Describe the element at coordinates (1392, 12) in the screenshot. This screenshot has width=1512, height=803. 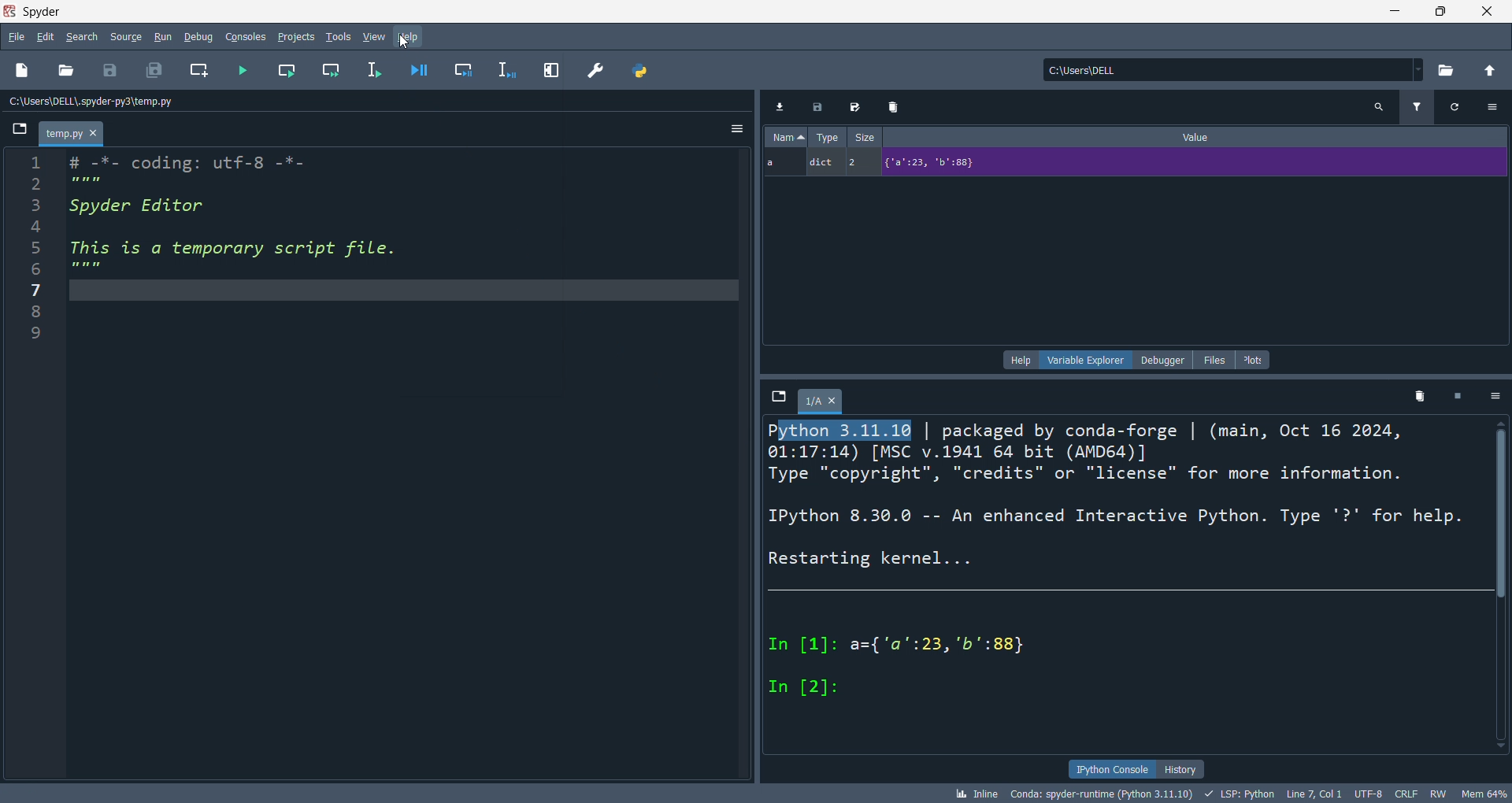
I see `minimize` at that location.